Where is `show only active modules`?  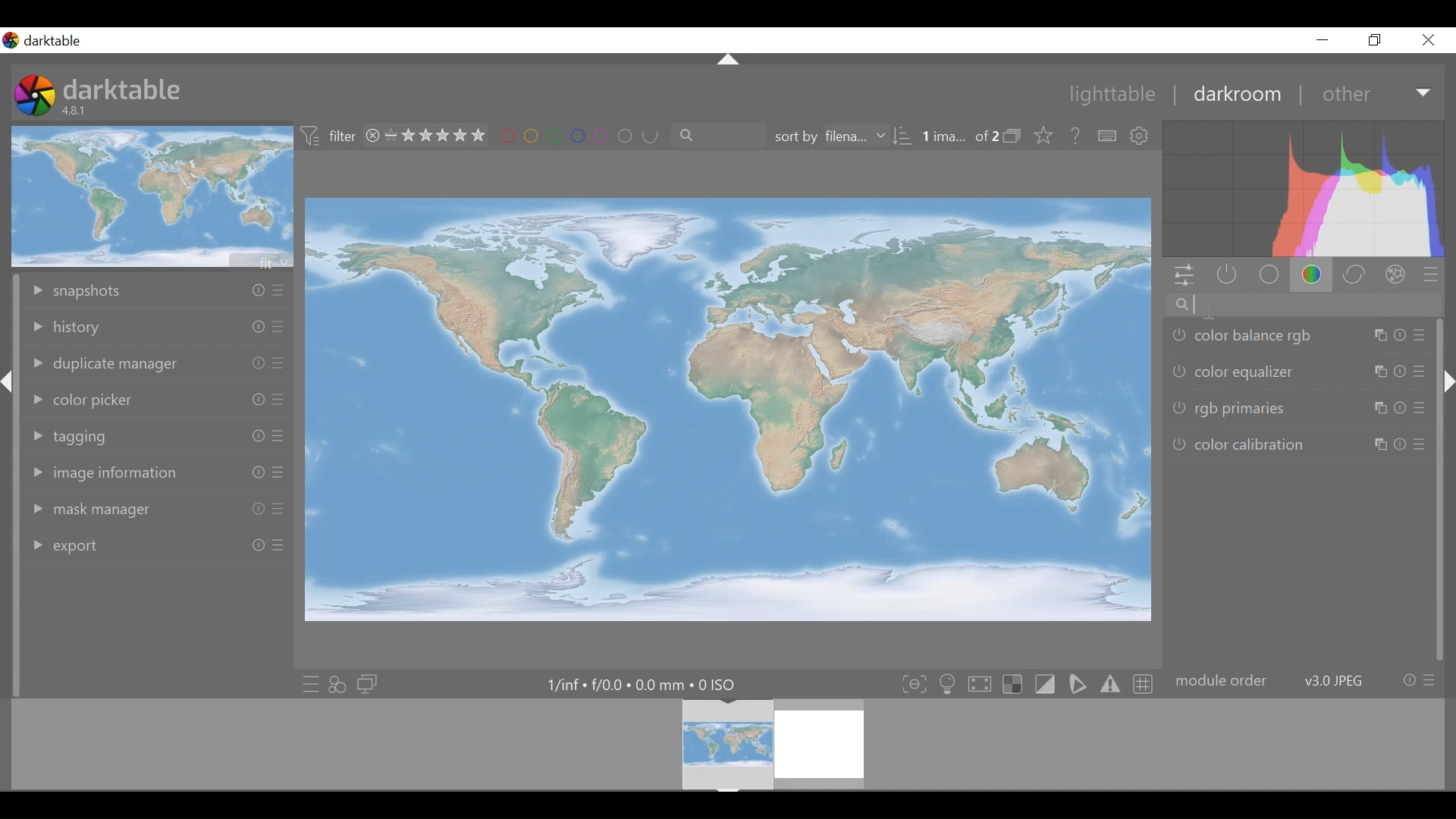
show only active modules is located at coordinates (1227, 275).